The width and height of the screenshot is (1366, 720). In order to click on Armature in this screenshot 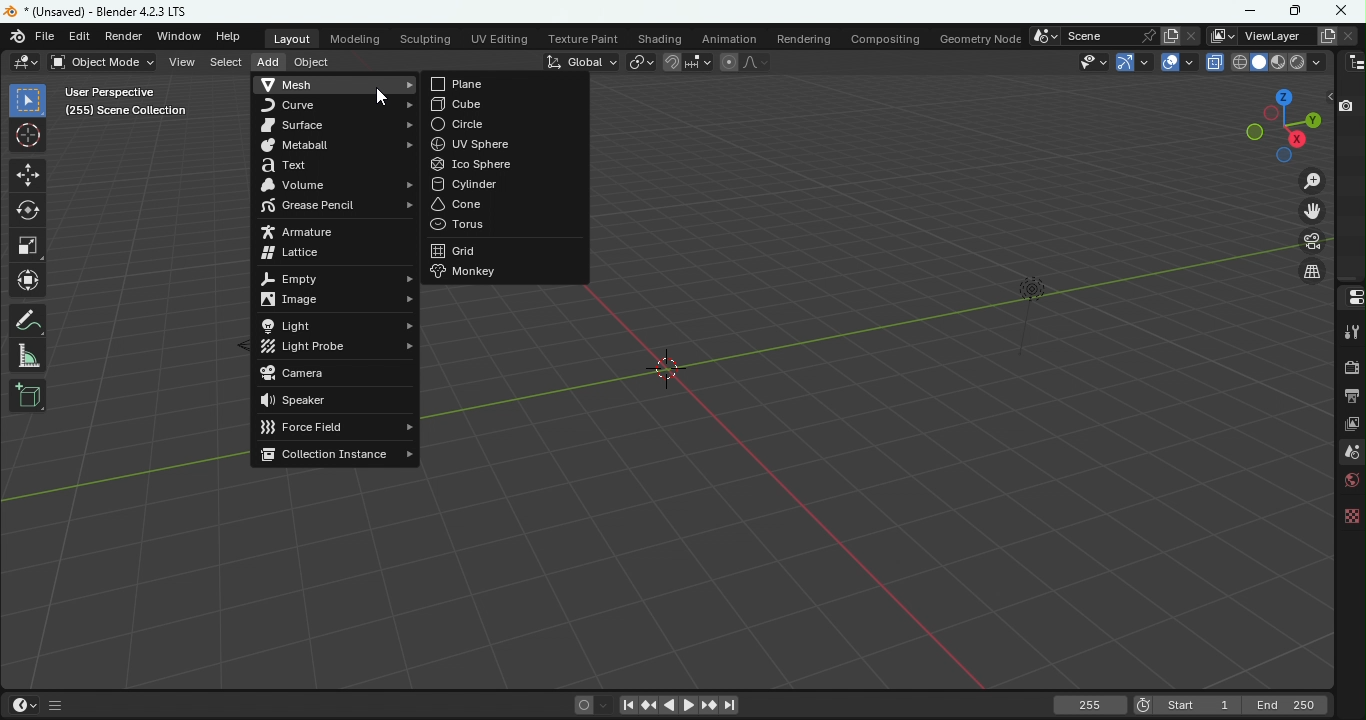, I will do `click(317, 232)`.